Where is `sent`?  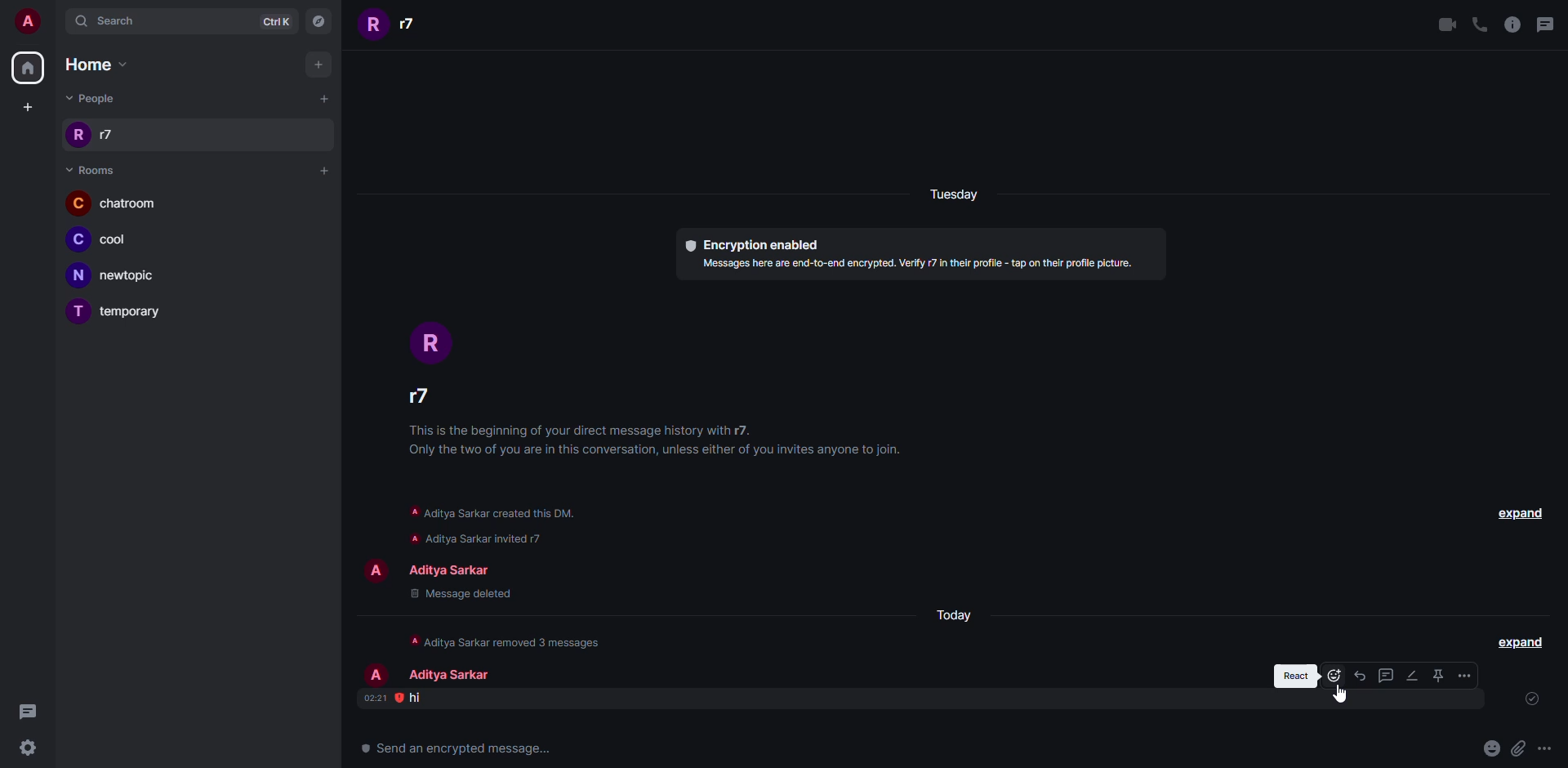 sent is located at coordinates (1535, 700).